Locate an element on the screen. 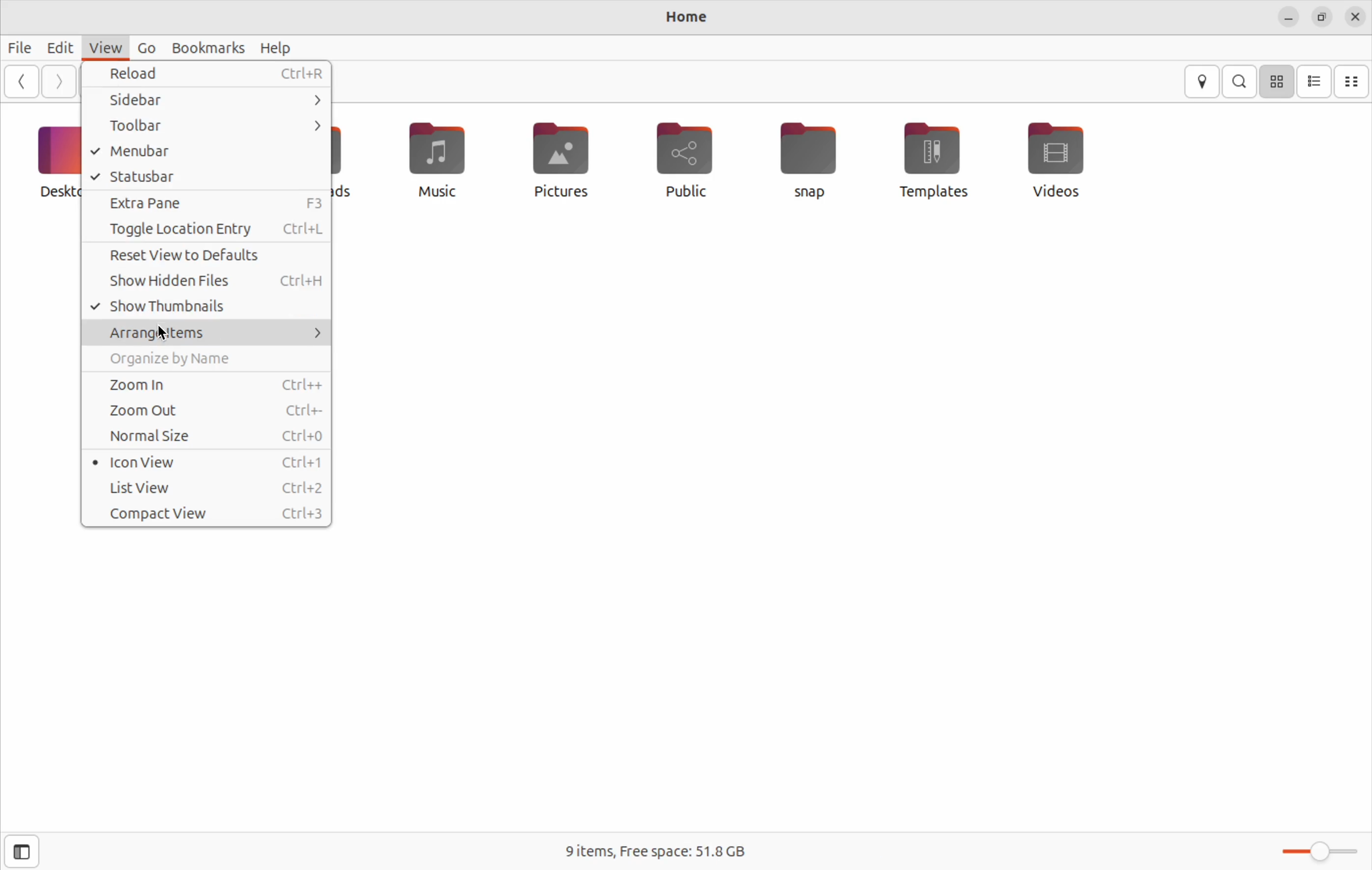  show hidden files is located at coordinates (209, 281).